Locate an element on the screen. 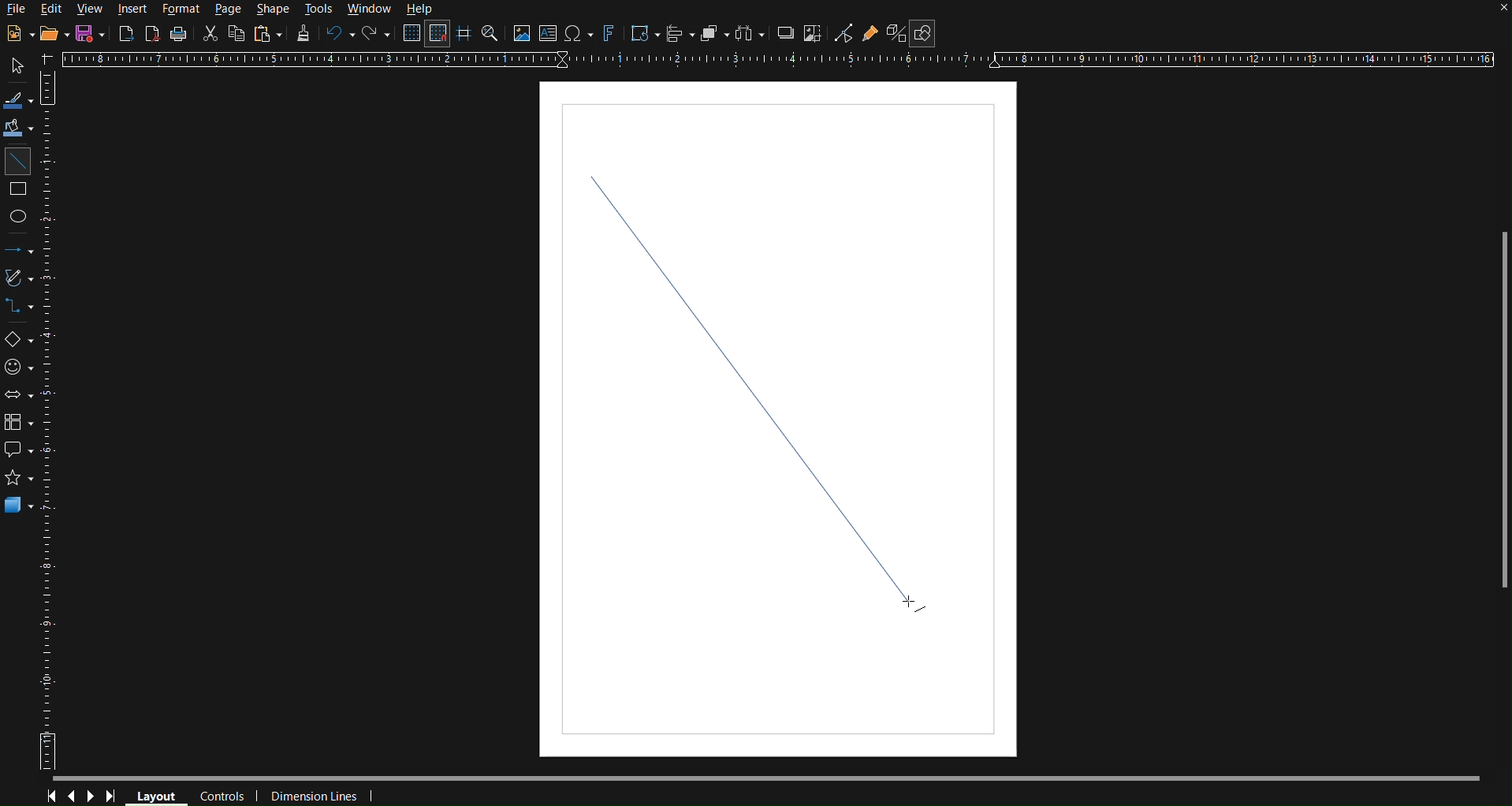 Image resolution: width=1512 pixels, height=806 pixels. Shape is located at coordinates (274, 9).